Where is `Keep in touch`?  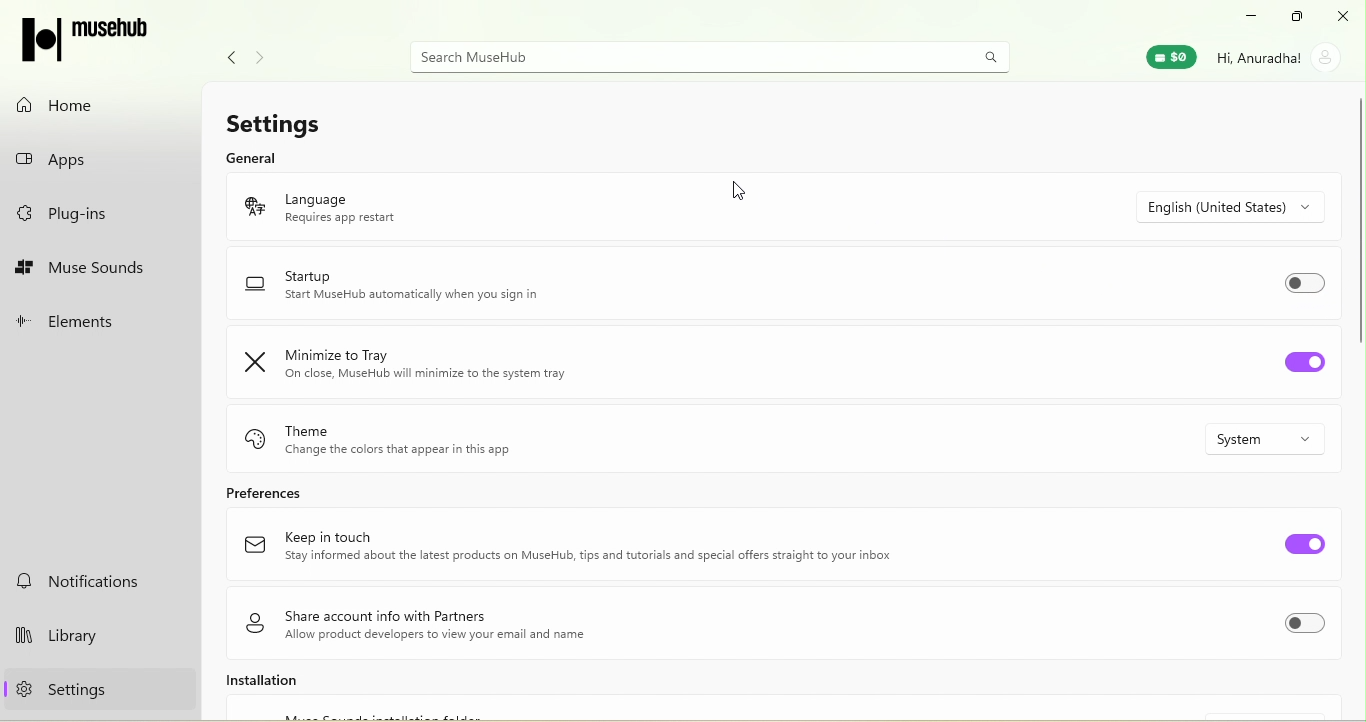 Keep in touch is located at coordinates (571, 549).